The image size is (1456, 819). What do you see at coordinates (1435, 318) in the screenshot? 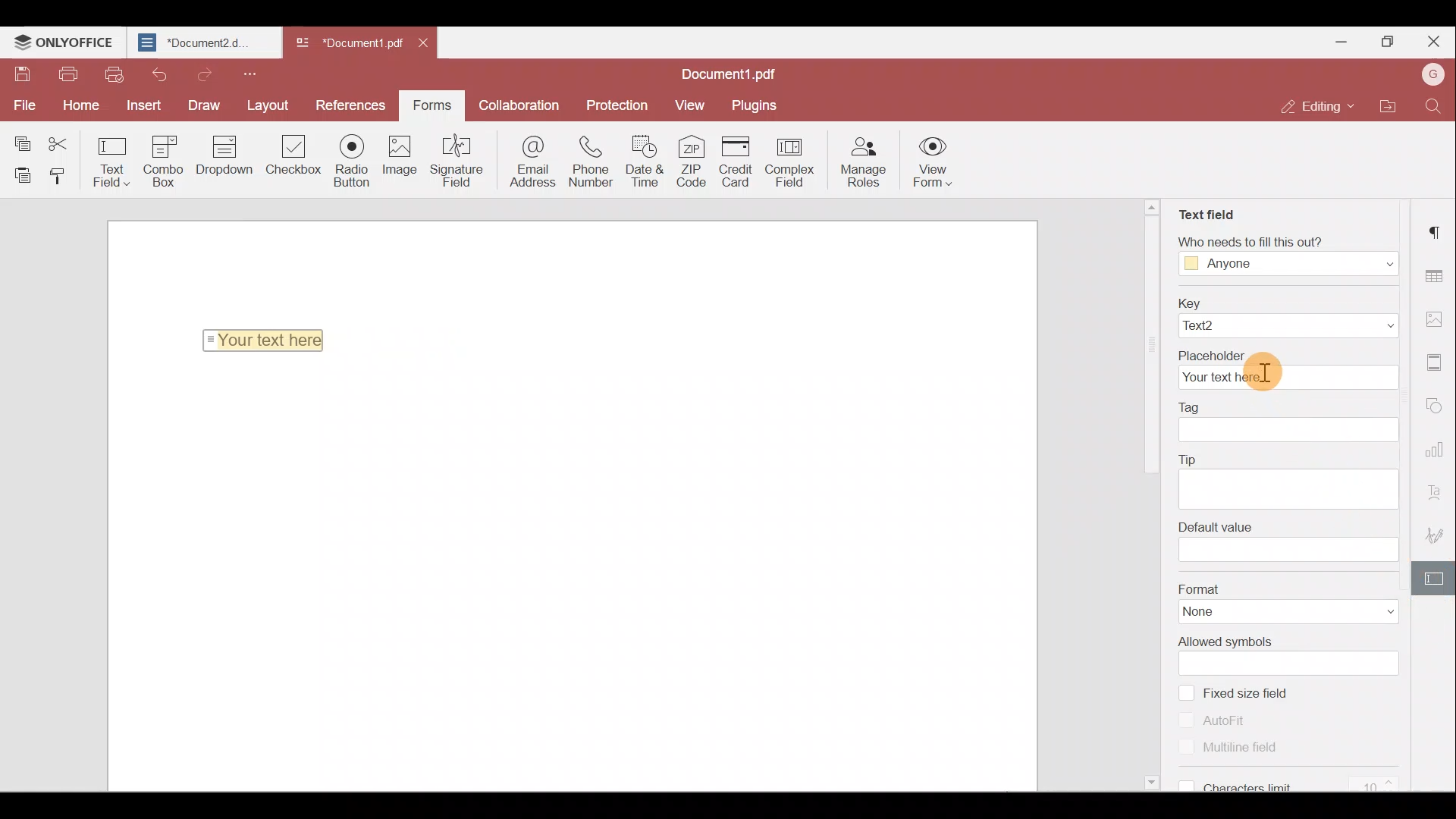
I see `Image settings` at bounding box center [1435, 318].